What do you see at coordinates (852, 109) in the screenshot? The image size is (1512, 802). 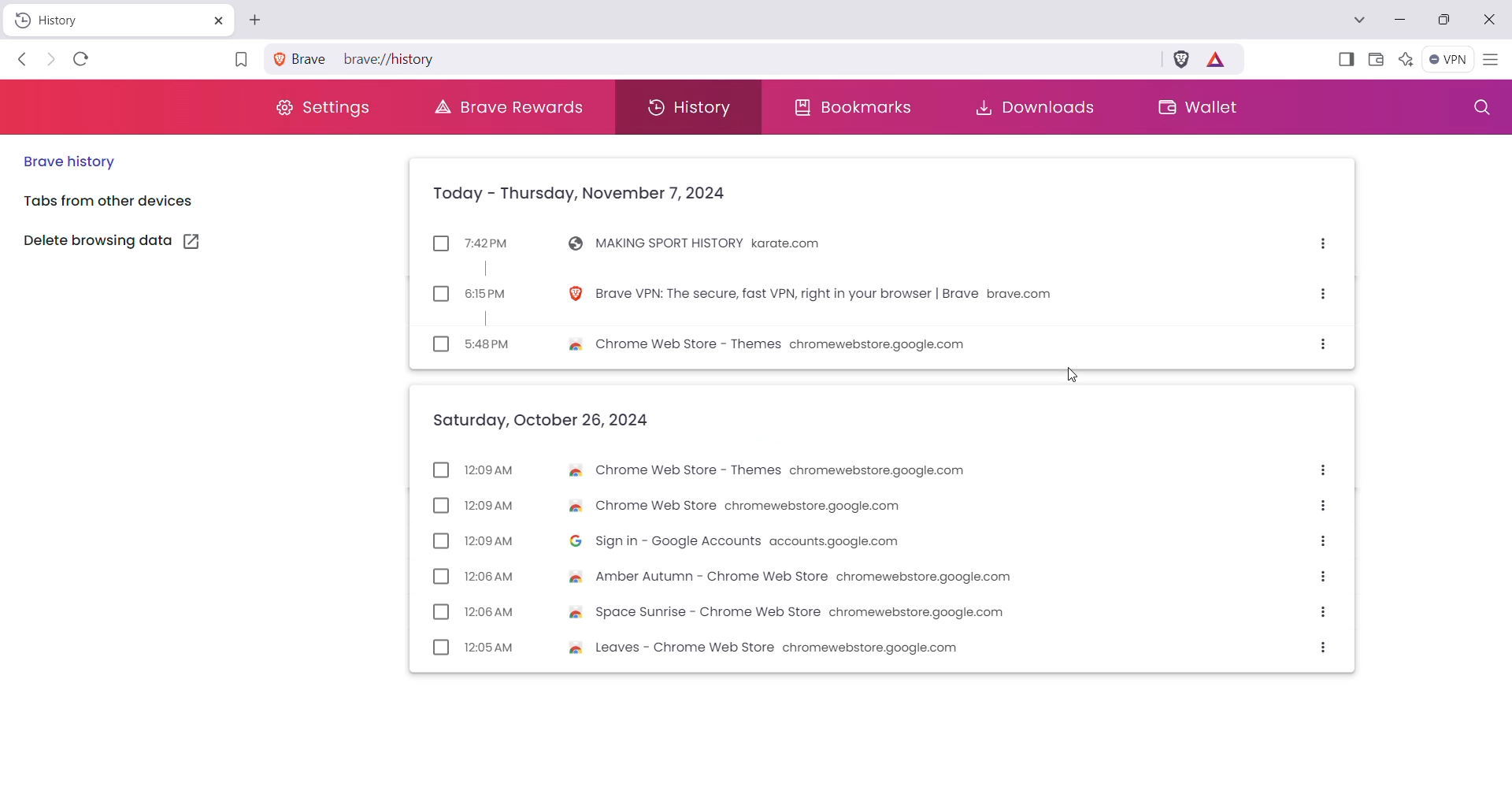 I see `Bookmarks` at bounding box center [852, 109].